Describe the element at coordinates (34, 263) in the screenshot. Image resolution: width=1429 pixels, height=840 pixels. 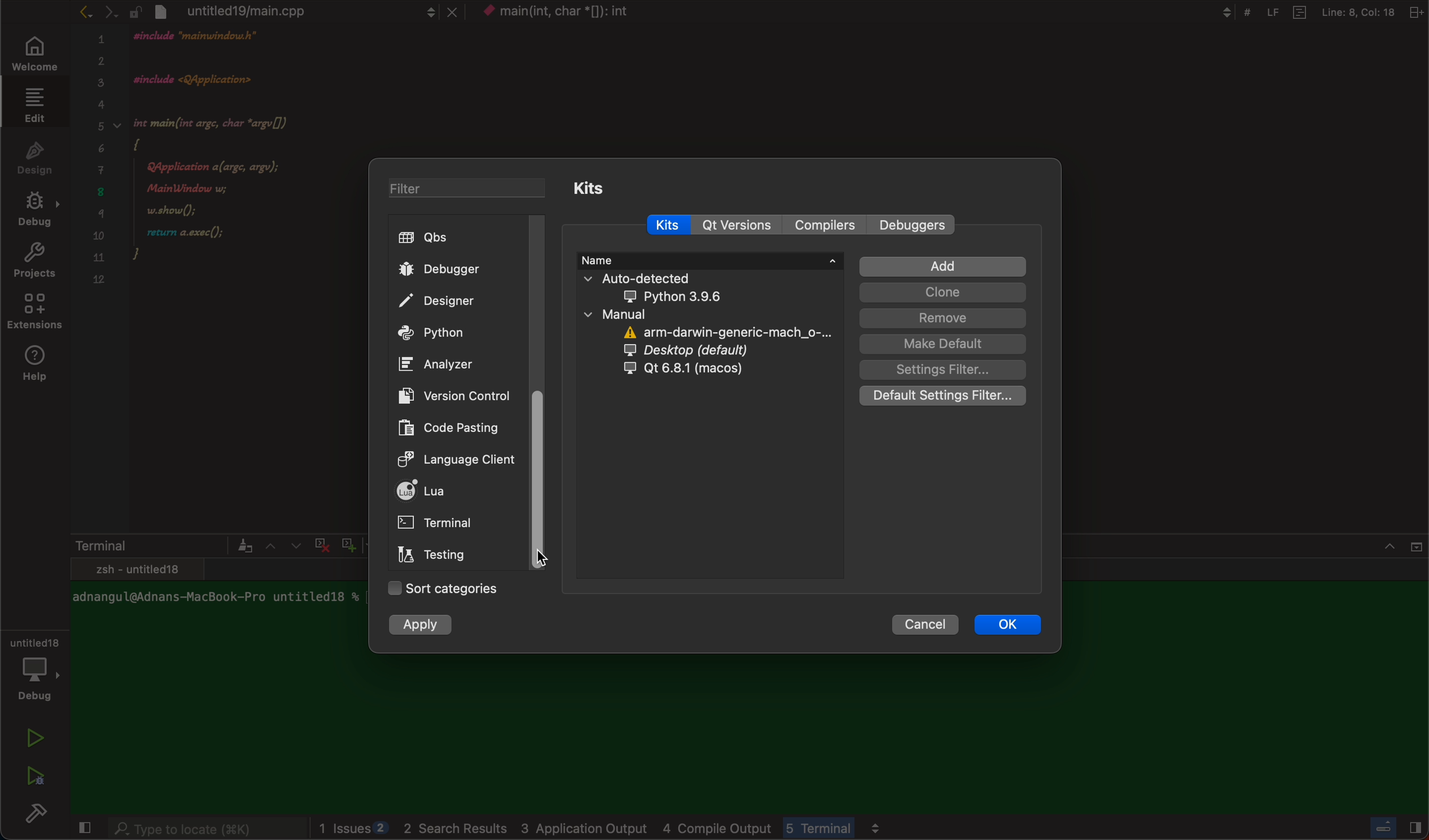
I see `projects` at that location.